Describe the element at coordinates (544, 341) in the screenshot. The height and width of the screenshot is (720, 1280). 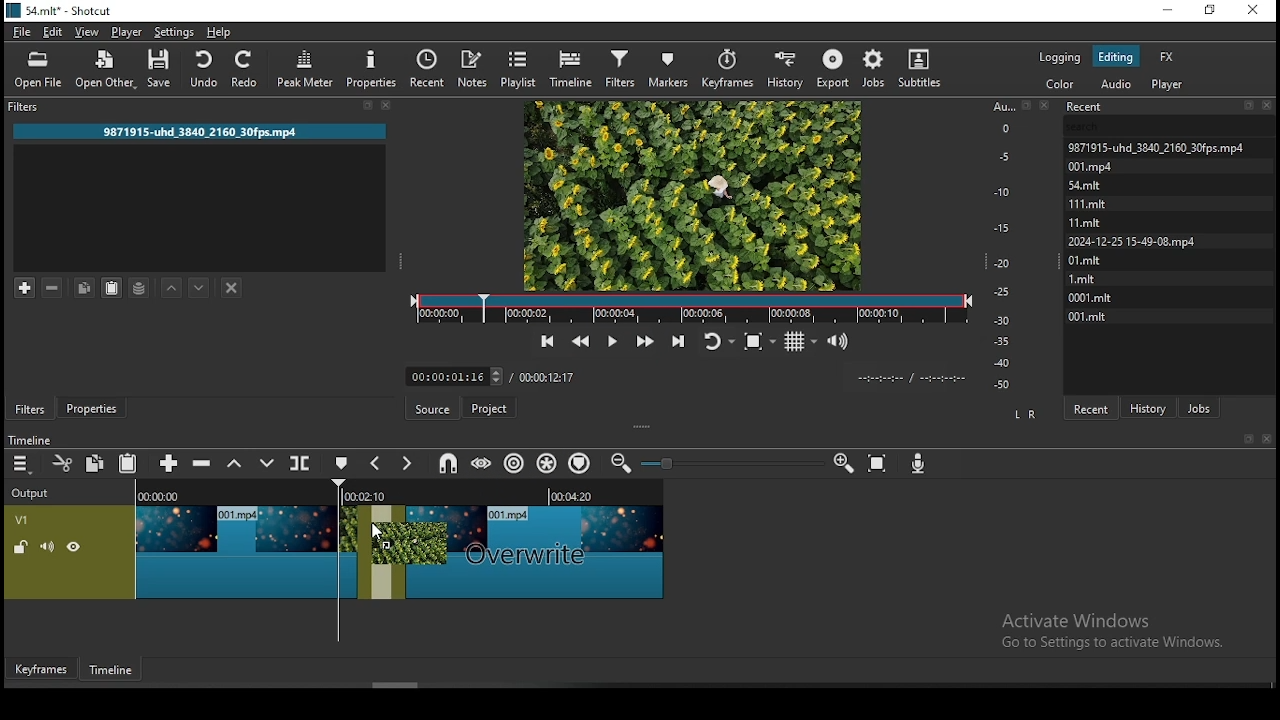
I see `skip to the previous point` at that location.